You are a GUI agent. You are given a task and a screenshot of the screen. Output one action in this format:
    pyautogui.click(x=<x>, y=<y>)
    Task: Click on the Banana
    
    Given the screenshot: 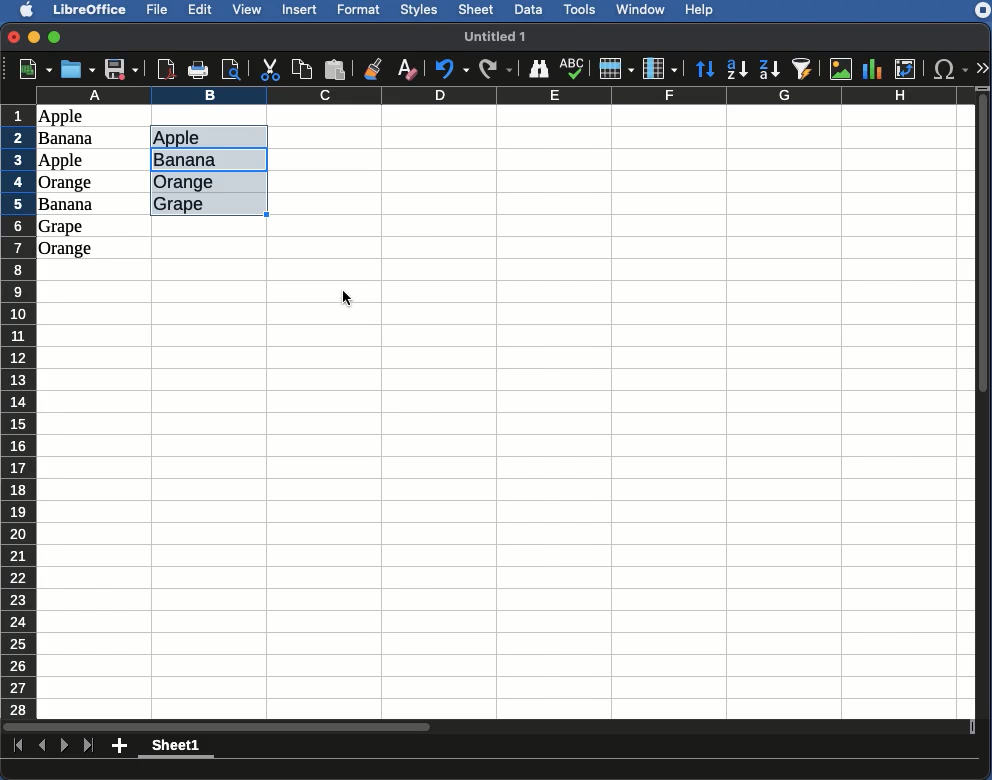 What is the action you would take?
    pyautogui.click(x=67, y=205)
    